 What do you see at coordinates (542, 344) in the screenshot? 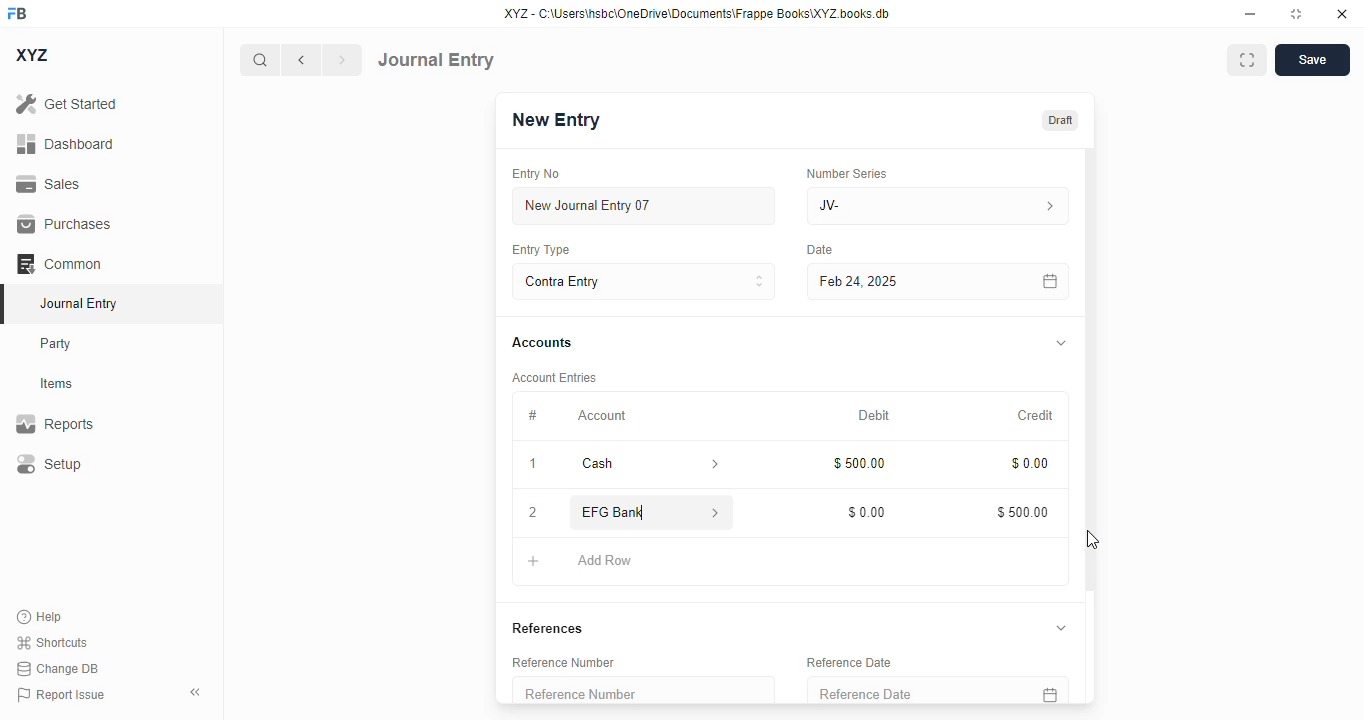
I see `accounts` at bounding box center [542, 344].